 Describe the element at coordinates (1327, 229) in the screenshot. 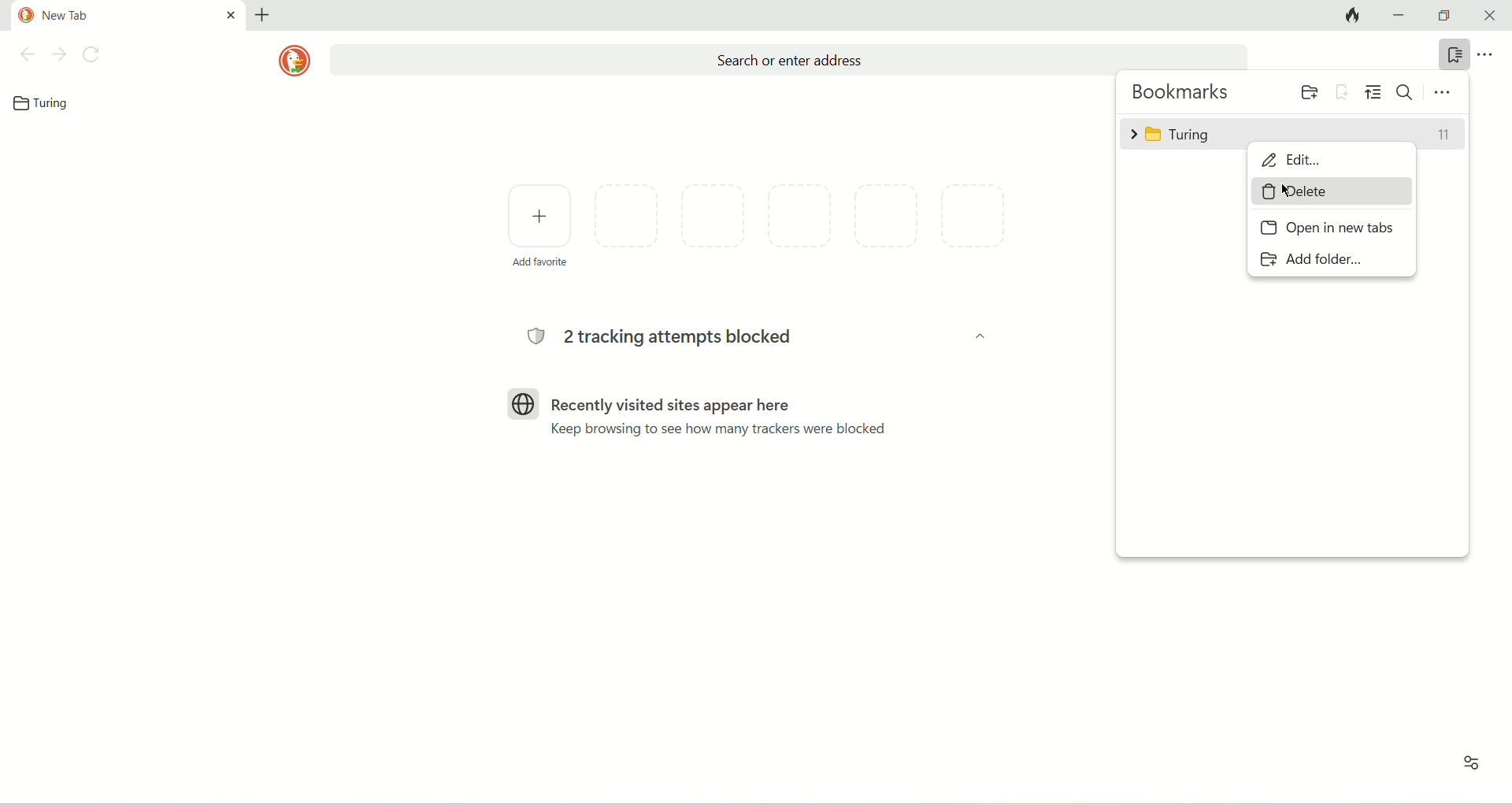

I see `open in new tab` at that location.